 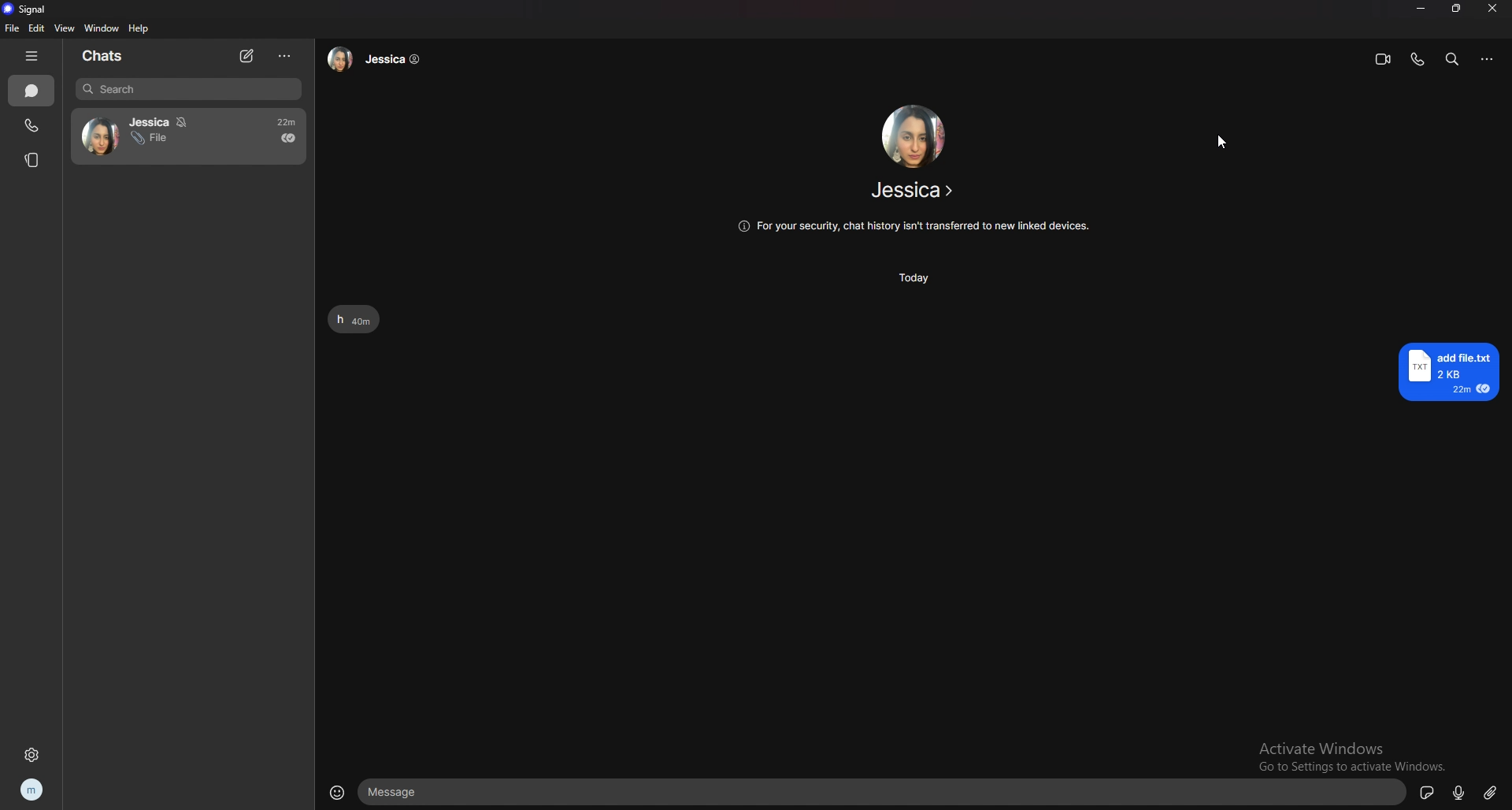 I want to click on attachment, so click(x=1491, y=792).